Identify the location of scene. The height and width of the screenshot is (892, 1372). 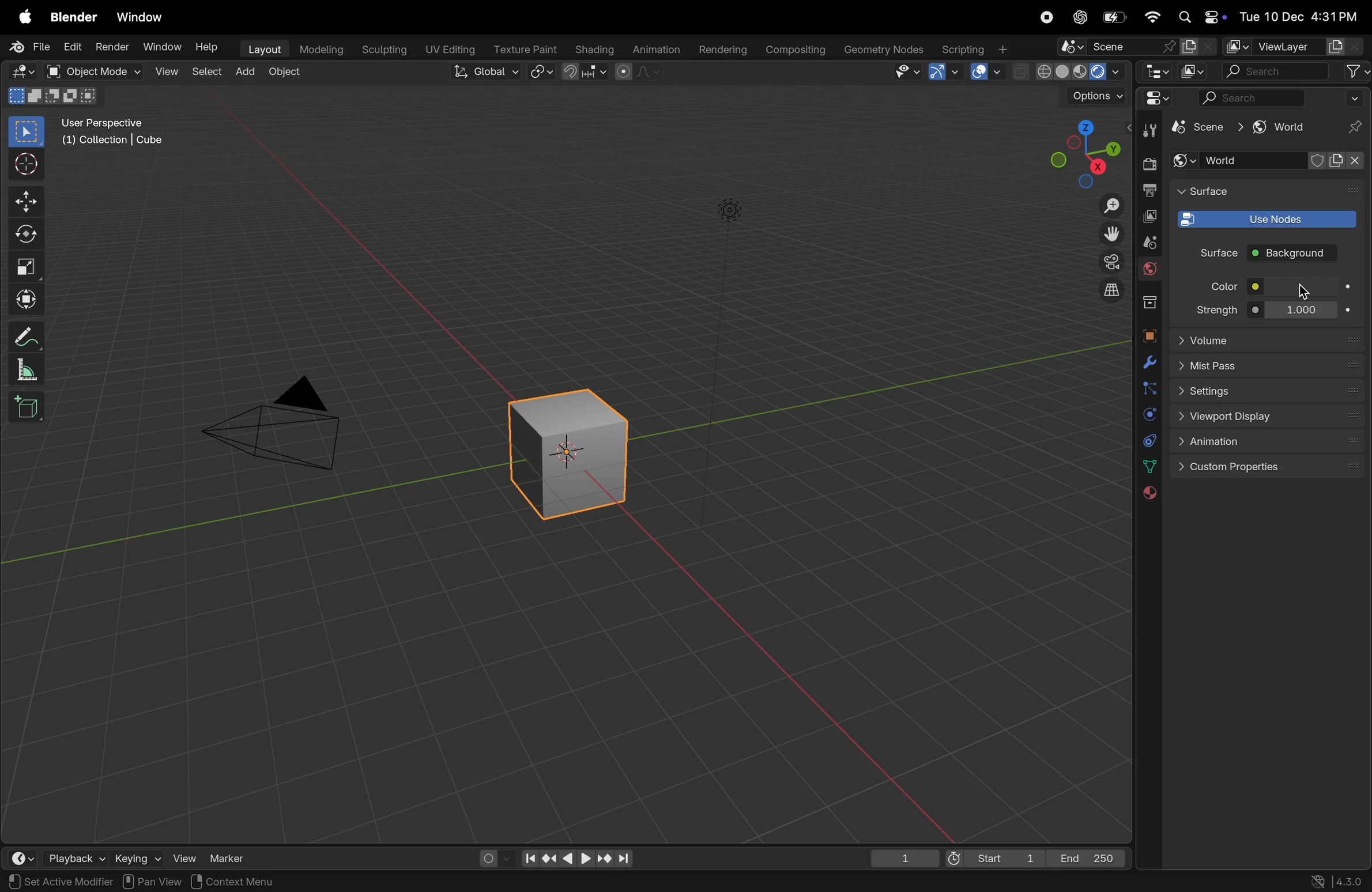
(1145, 242).